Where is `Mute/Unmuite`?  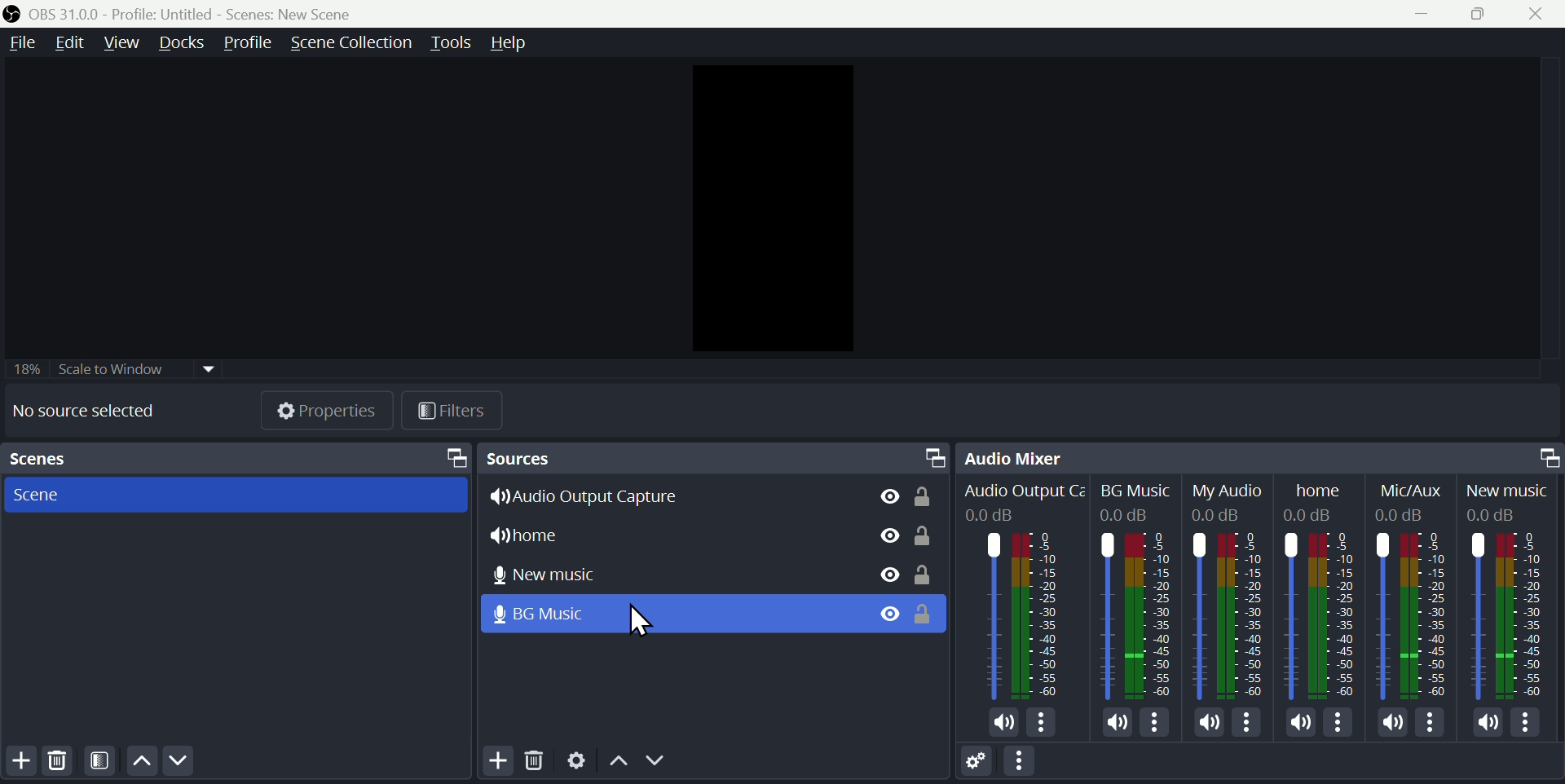 Mute/Unmuite is located at coordinates (1208, 725).